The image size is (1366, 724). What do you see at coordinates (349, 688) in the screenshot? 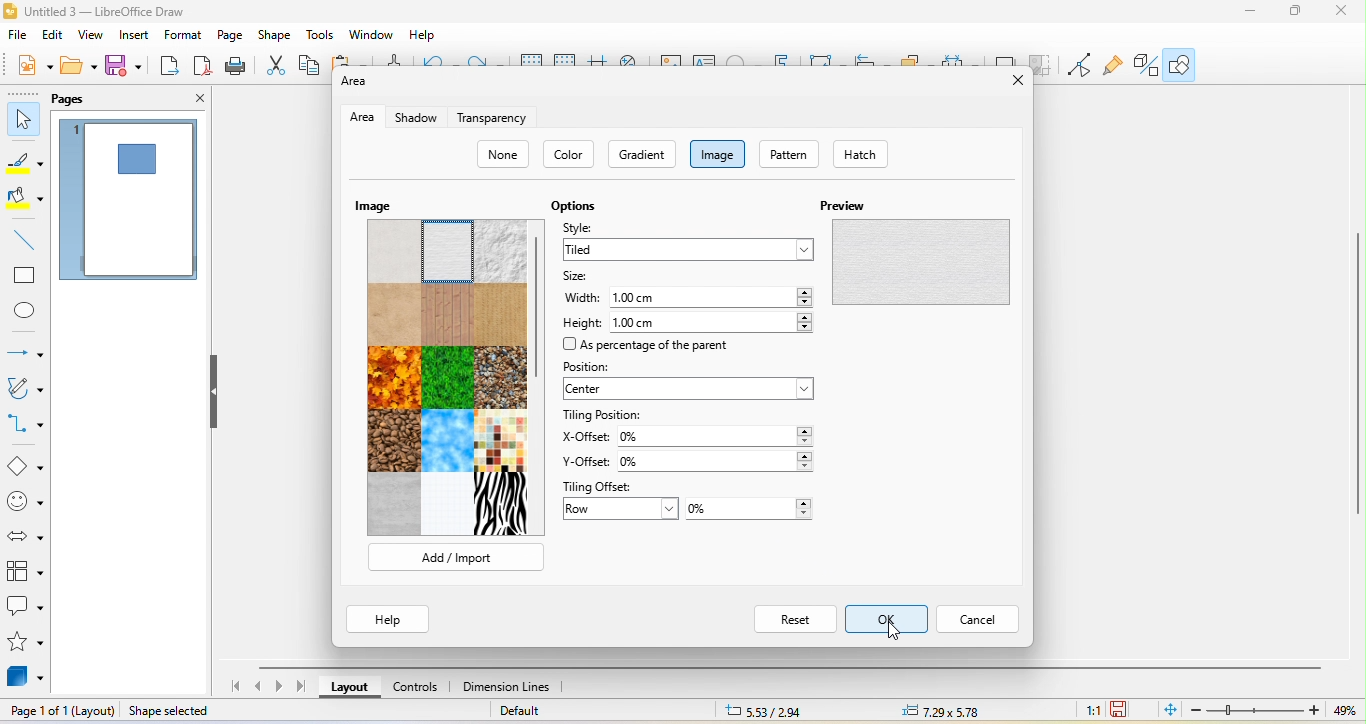
I see `layout` at bounding box center [349, 688].